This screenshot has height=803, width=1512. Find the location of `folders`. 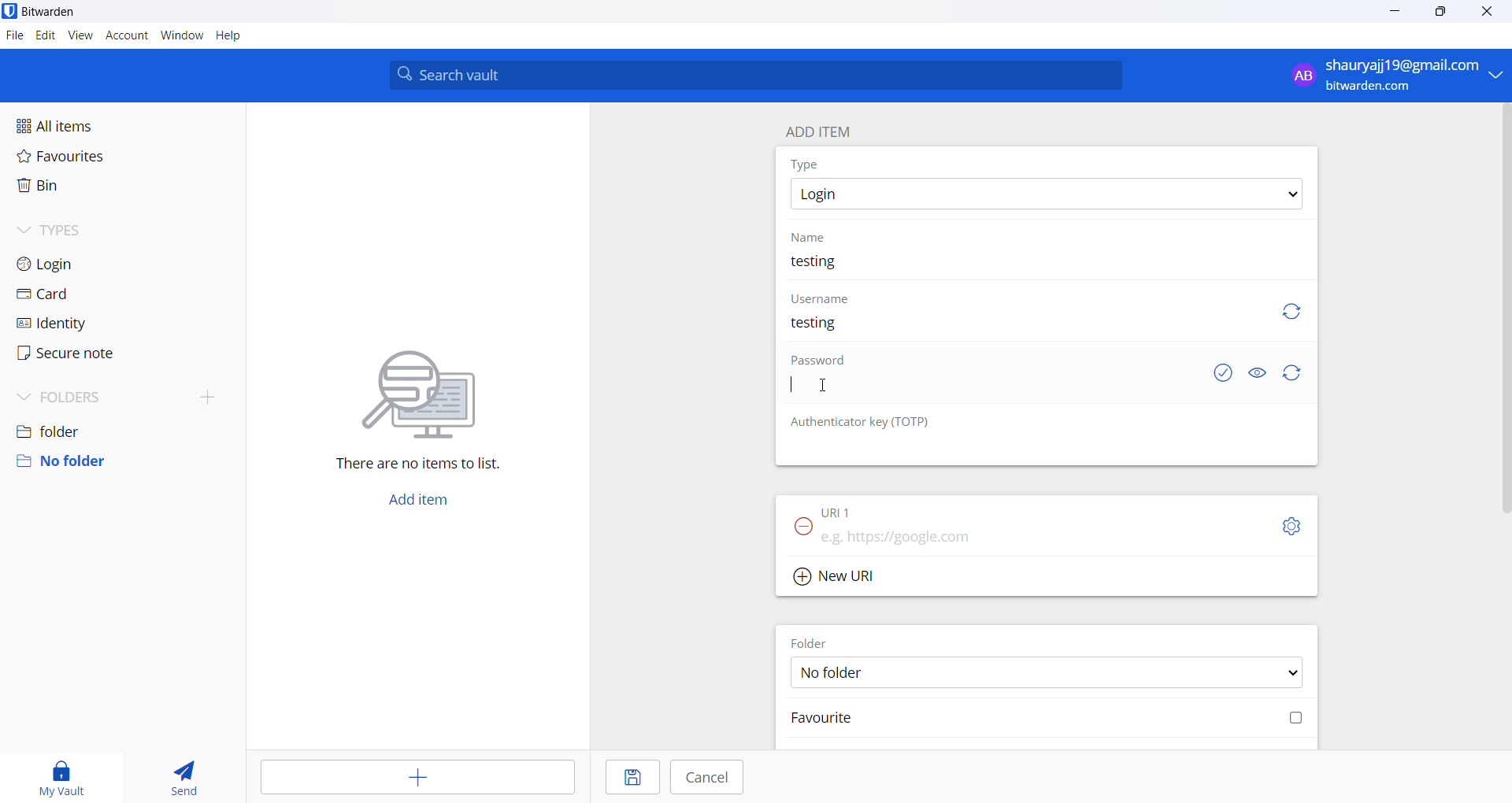

folders is located at coordinates (126, 394).